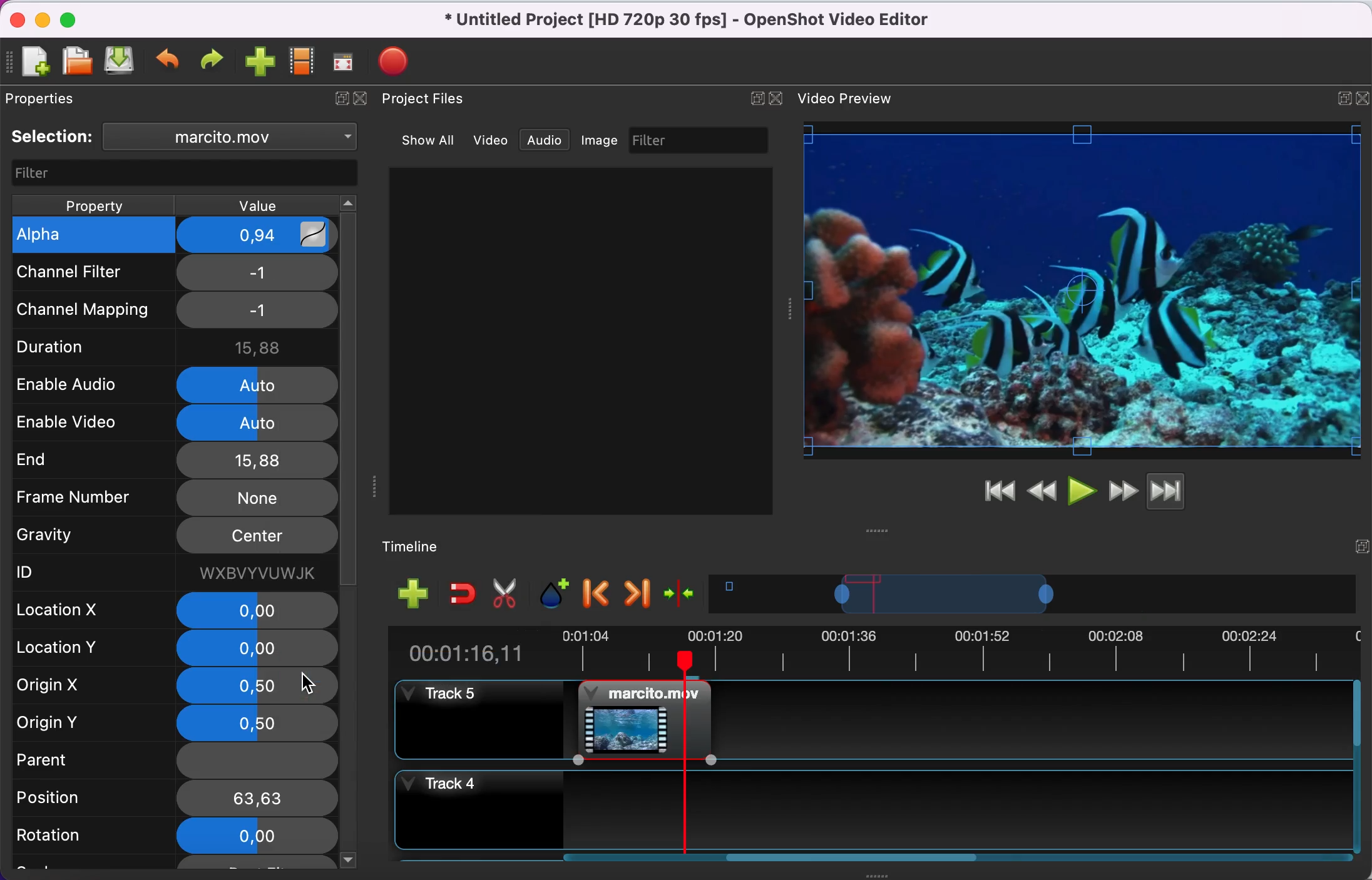 Image resolution: width=1372 pixels, height=880 pixels. What do you see at coordinates (73, 386) in the screenshot?
I see `Enable Audio` at bounding box center [73, 386].